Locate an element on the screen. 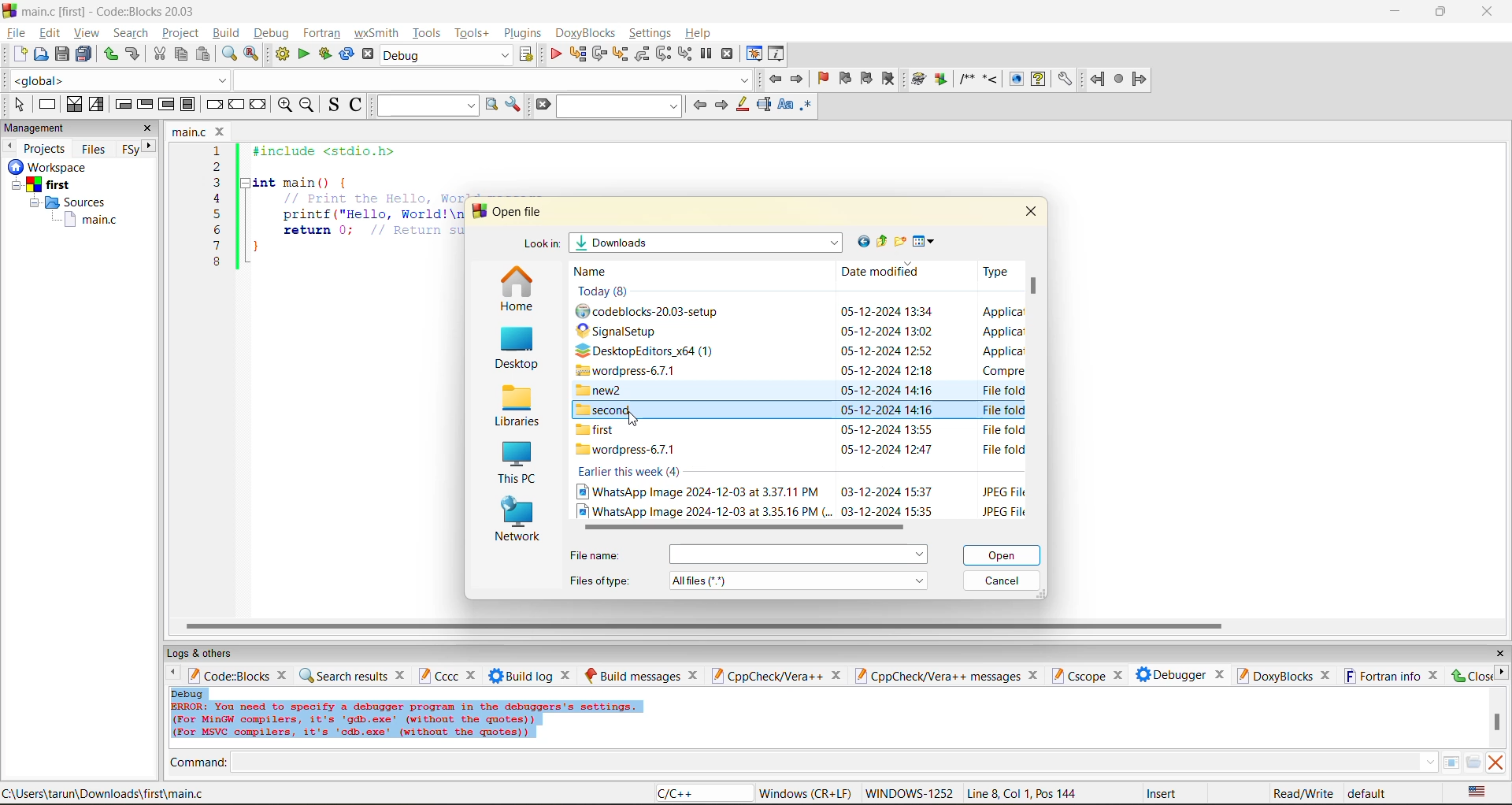  new is located at coordinates (20, 54).